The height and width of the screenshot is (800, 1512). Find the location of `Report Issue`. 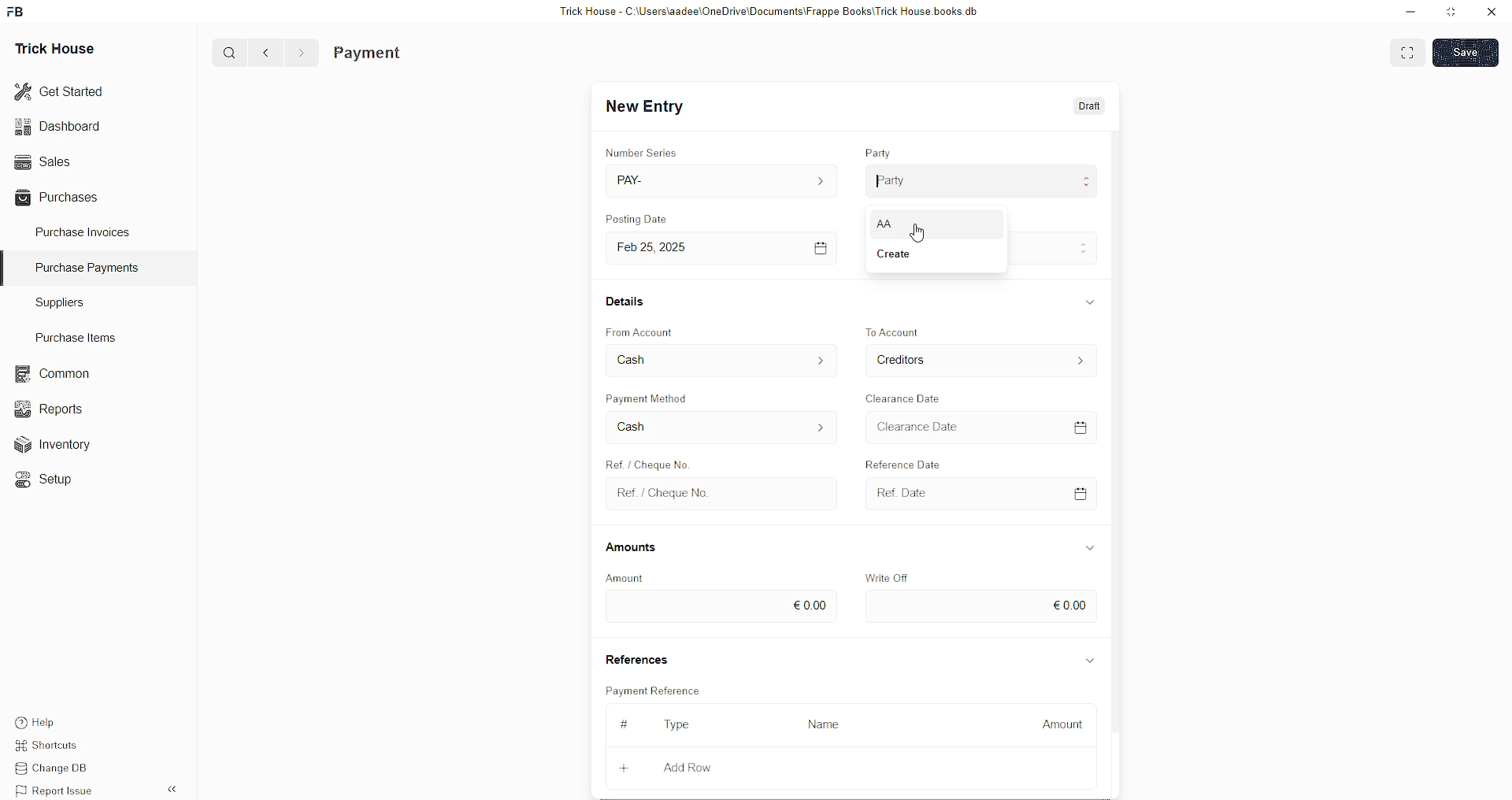

Report Issue is located at coordinates (59, 791).